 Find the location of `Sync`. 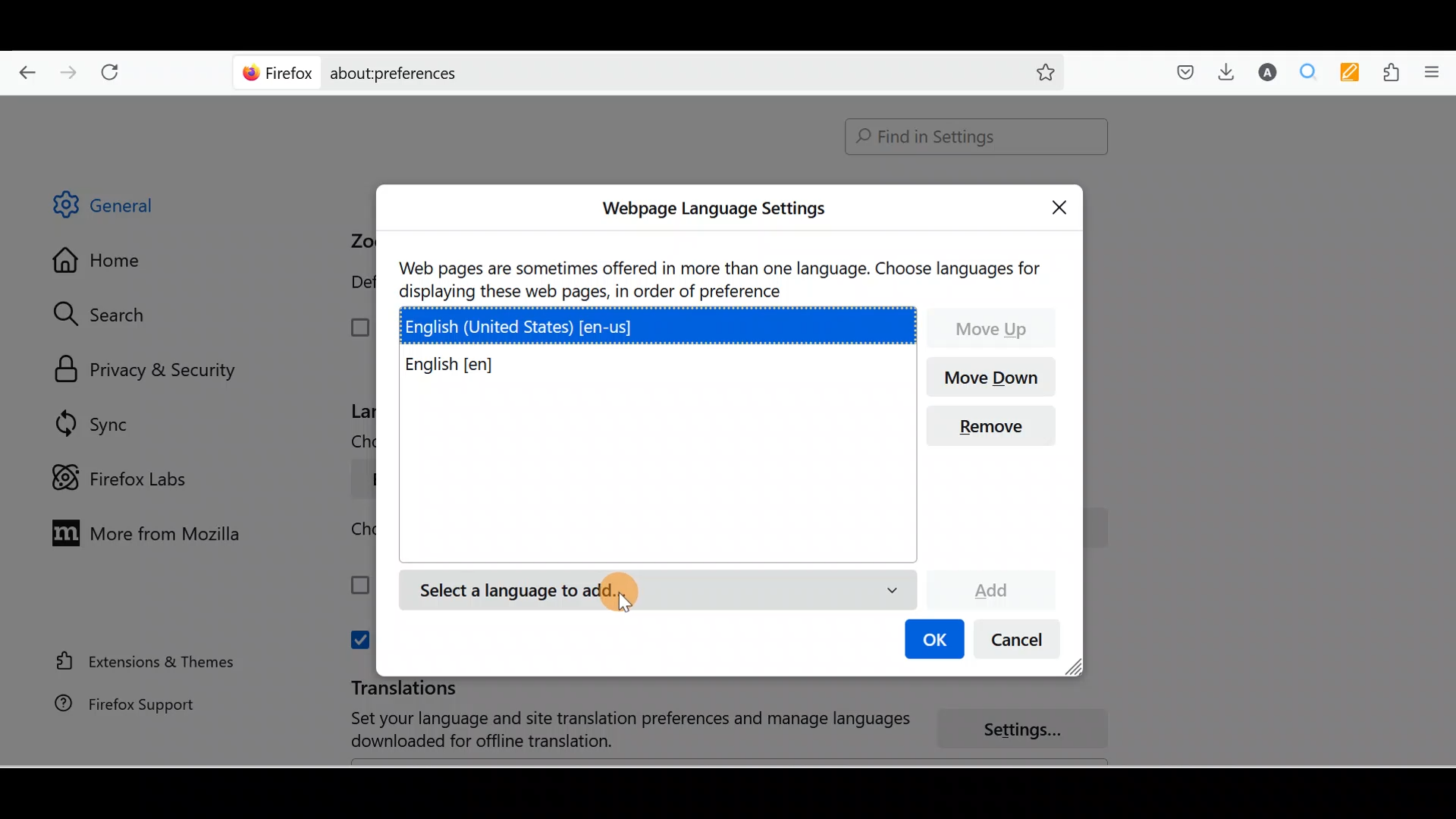

Sync is located at coordinates (95, 423).